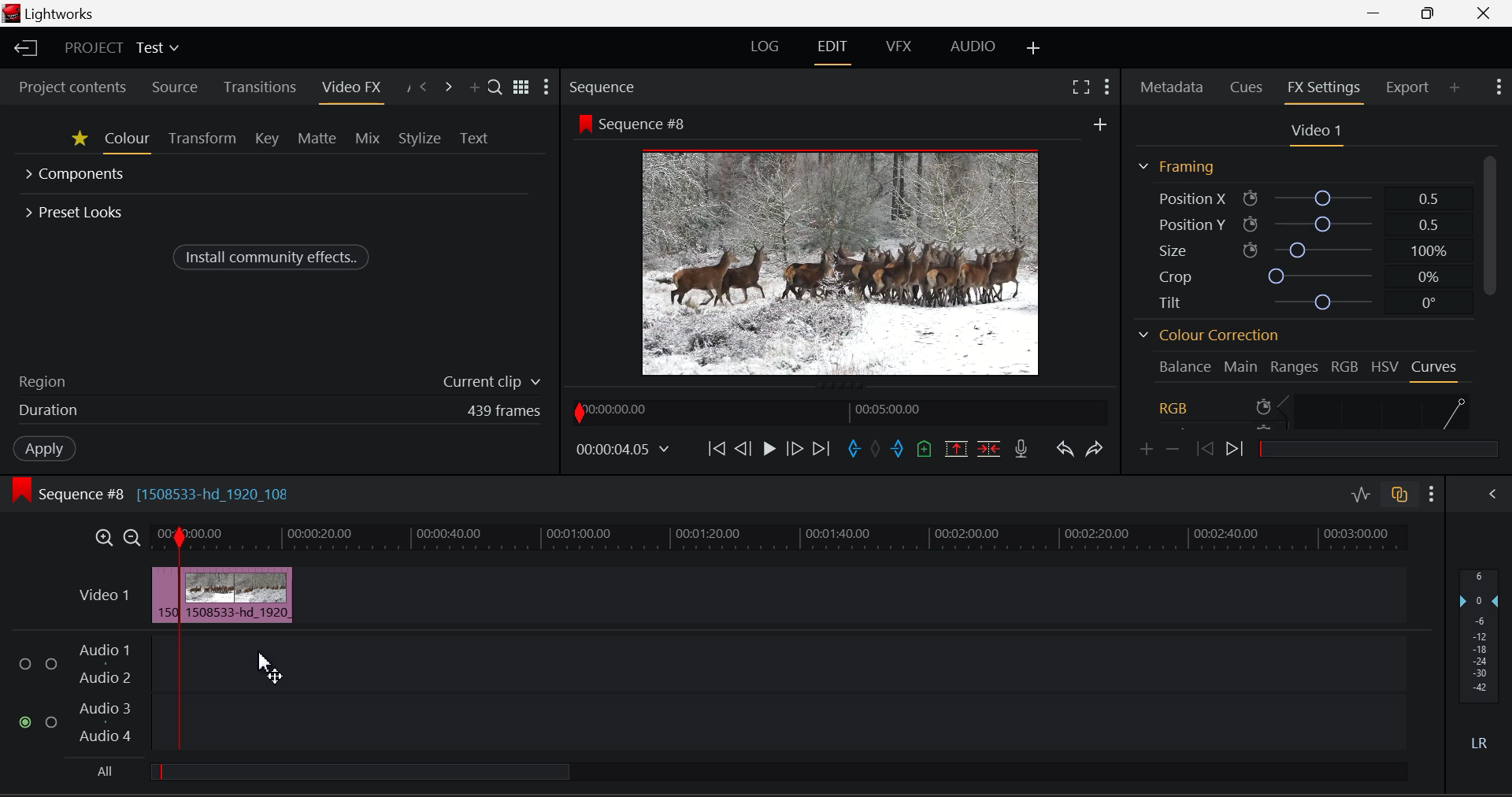 This screenshot has width=1512, height=797. What do you see at coordinates (603, 87) in the screenshot?
I see `Sequence Preview Section` at bounding box center [603, 87].